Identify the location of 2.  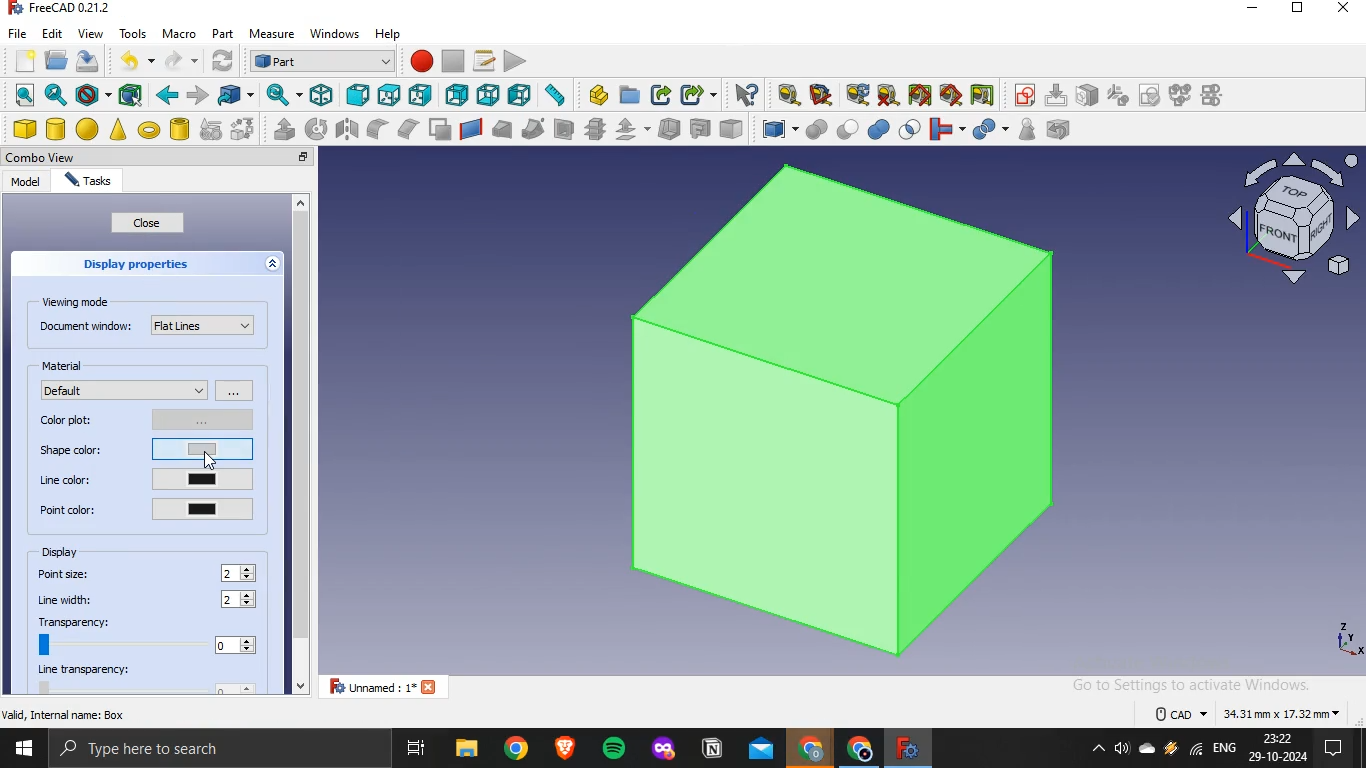
(240, 600).